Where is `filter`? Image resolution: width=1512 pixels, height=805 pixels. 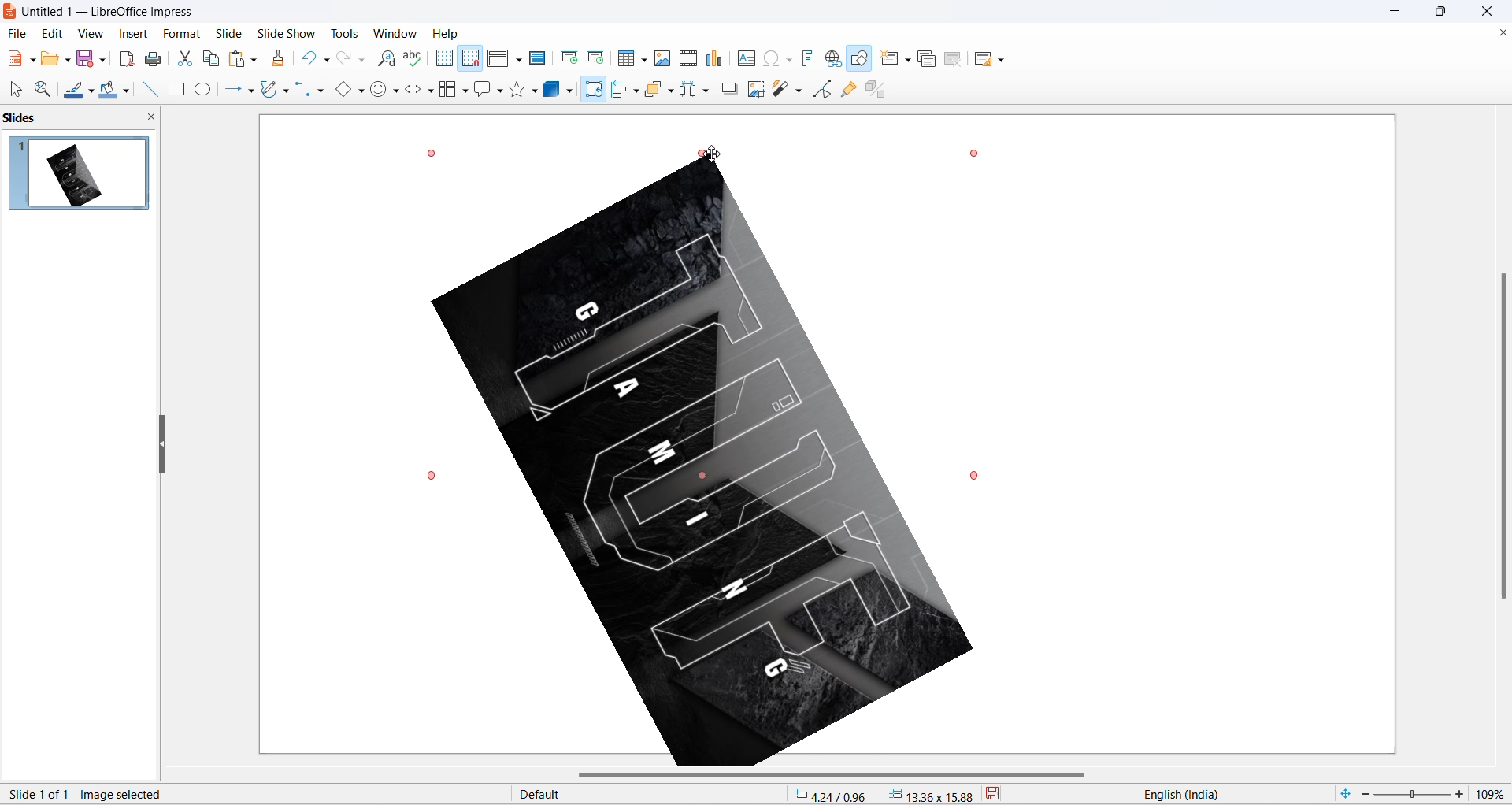
filter is located at coordinates (781, 91).